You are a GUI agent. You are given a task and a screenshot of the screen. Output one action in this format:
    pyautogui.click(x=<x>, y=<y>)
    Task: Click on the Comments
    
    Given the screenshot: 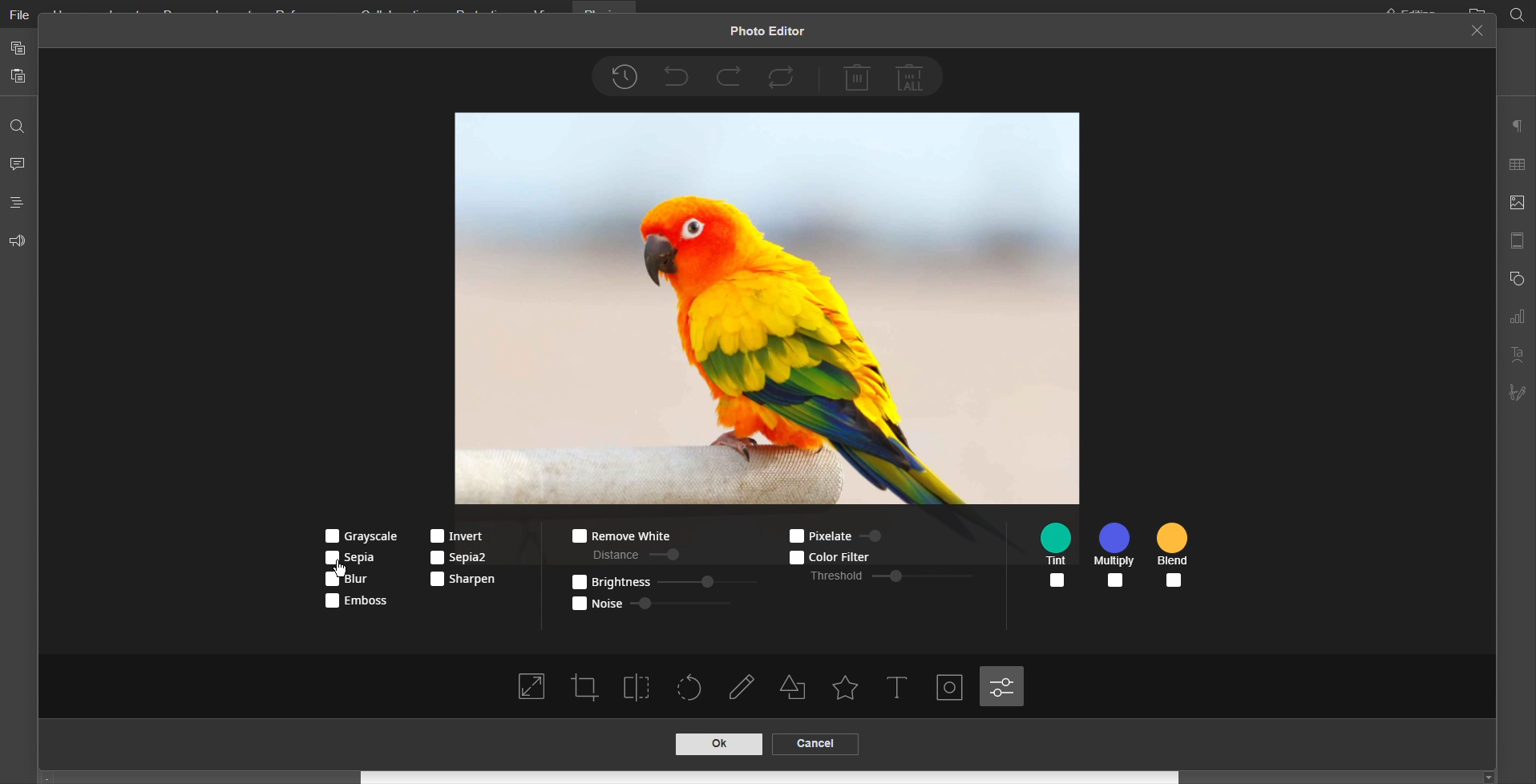 What is the action you would take?
    pyautogui.click(x=19, y=162)
    